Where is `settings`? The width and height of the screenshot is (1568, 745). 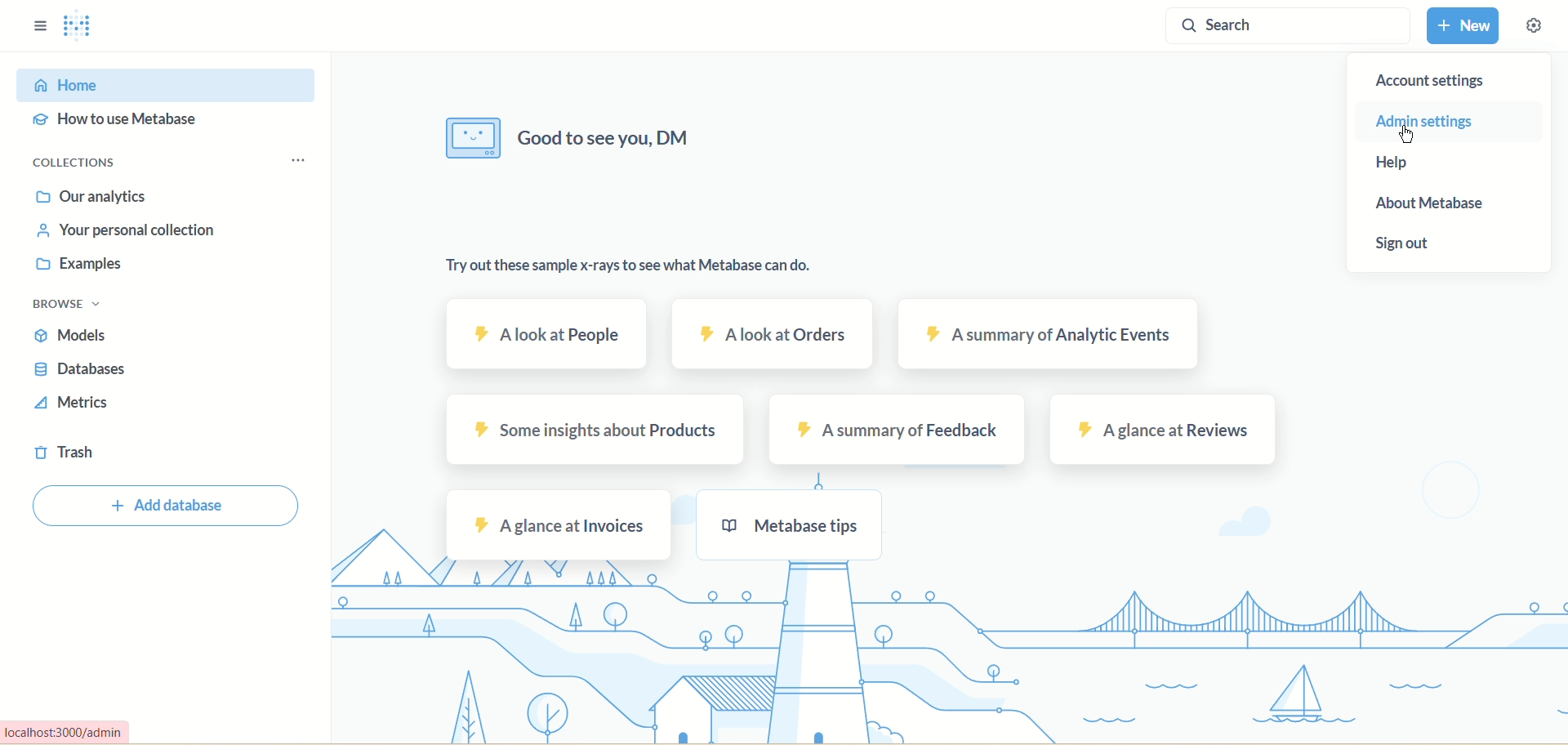
settings is located at coordinates (1532, 25).